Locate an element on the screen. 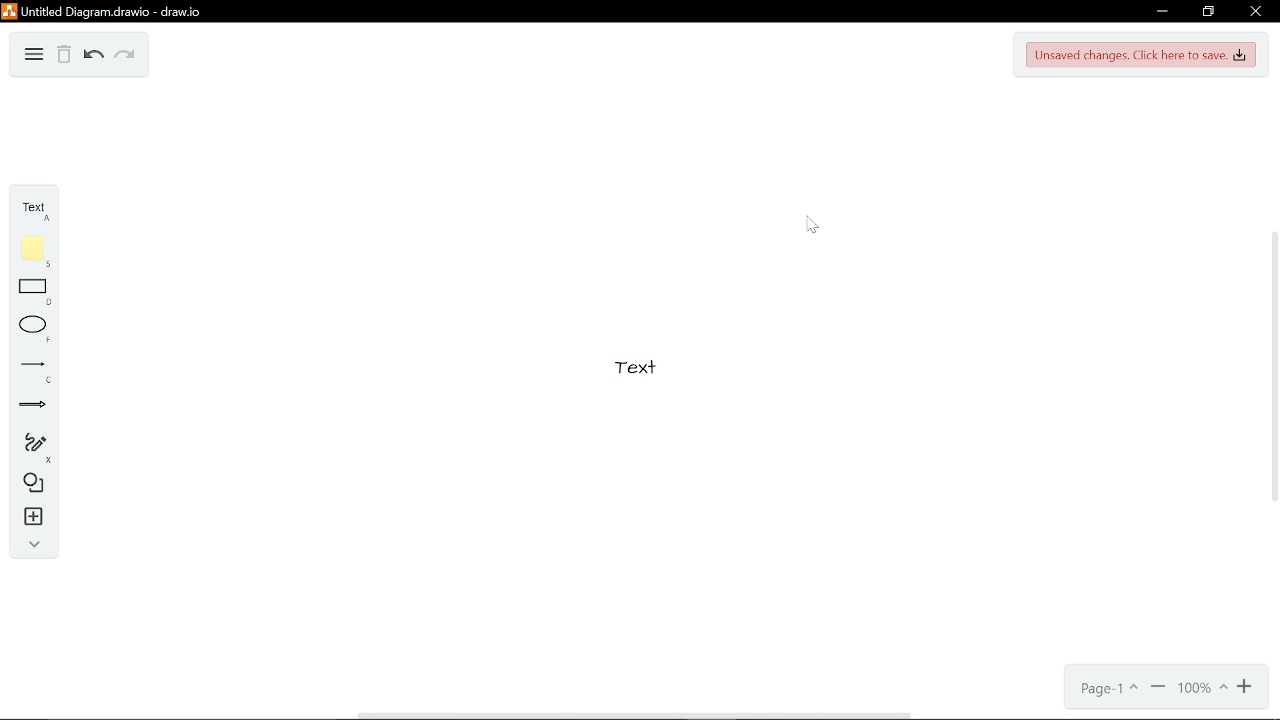  Unsaved changes. Click here to save is located at coordinates (1144, 54).